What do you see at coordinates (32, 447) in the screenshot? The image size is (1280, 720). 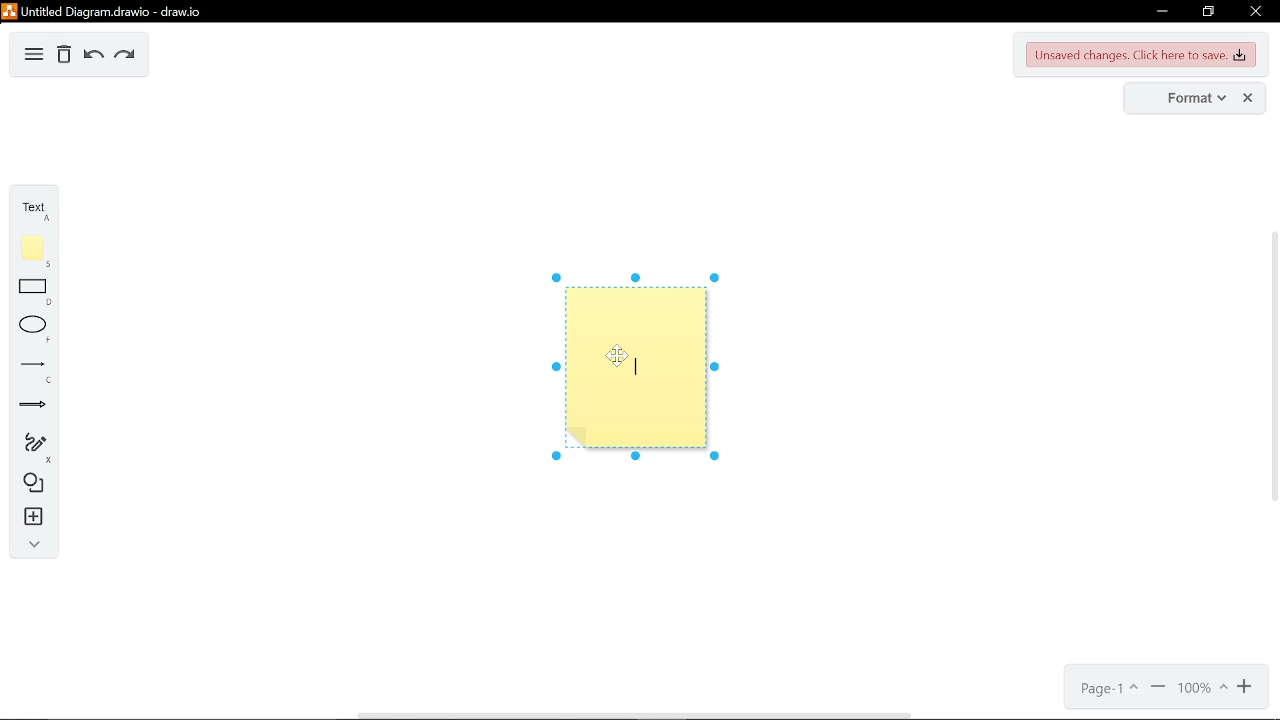 I see `freehand` at bounding box center [32, 447].